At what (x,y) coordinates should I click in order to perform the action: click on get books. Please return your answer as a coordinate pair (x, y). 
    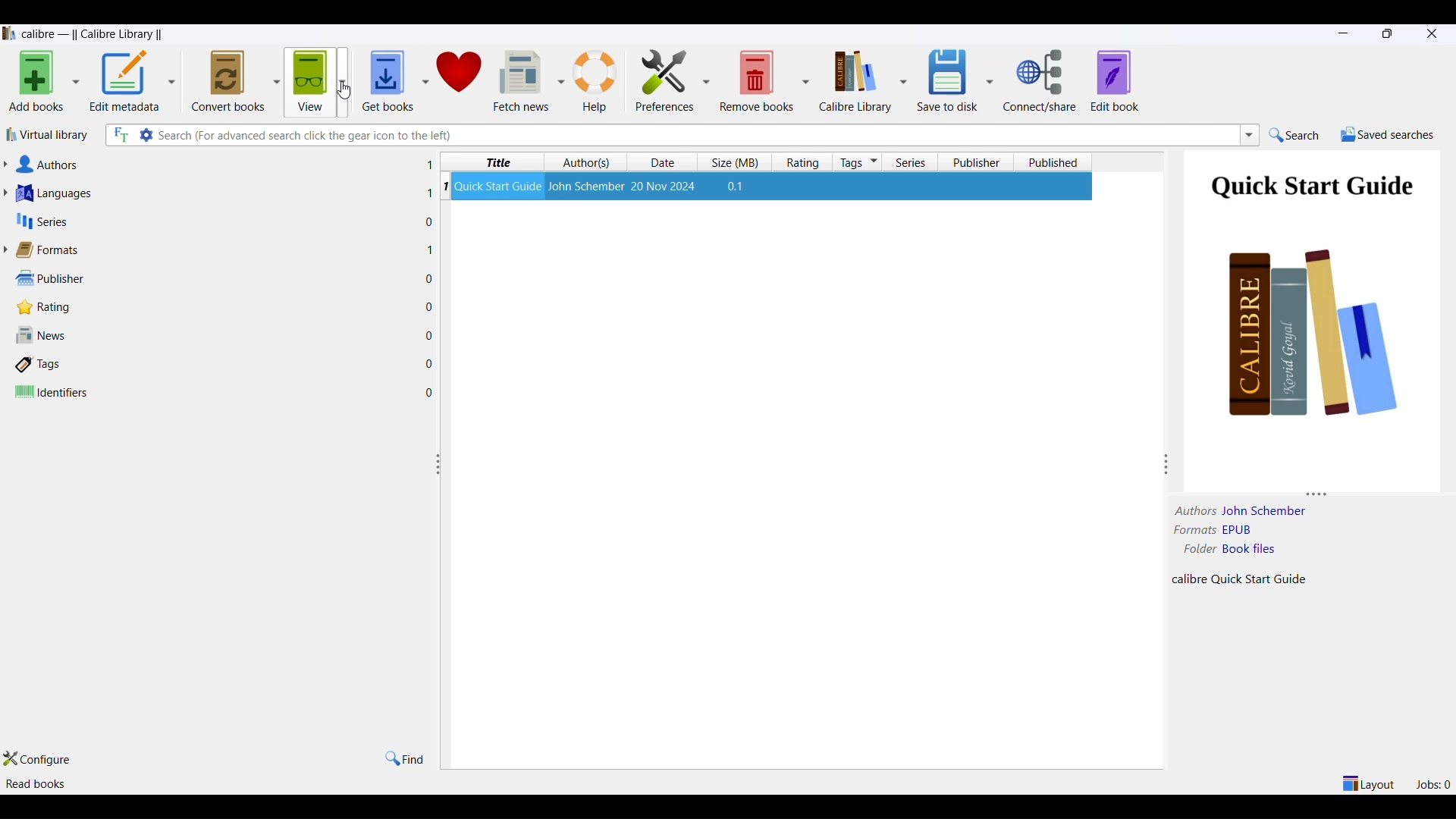
    Looking at the image, I should click on (388, 78).